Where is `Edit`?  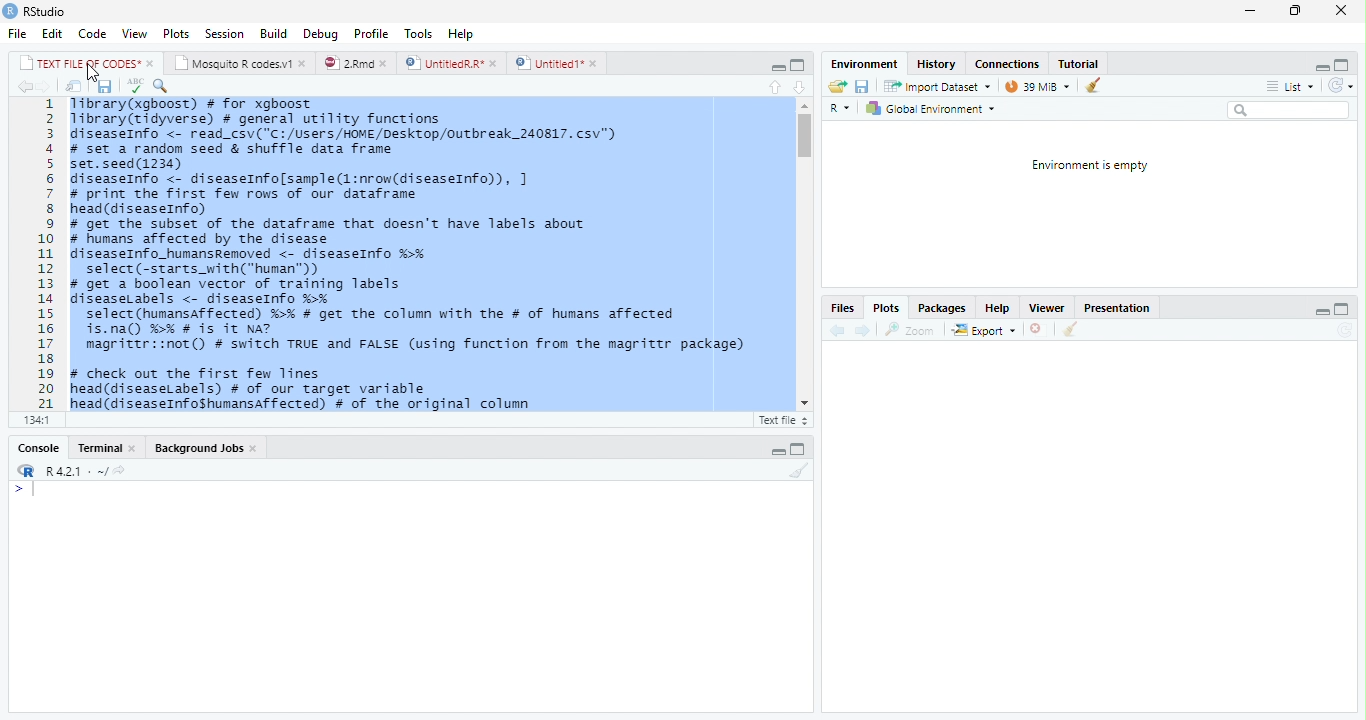 Edit is located at coordinates (50, 33).